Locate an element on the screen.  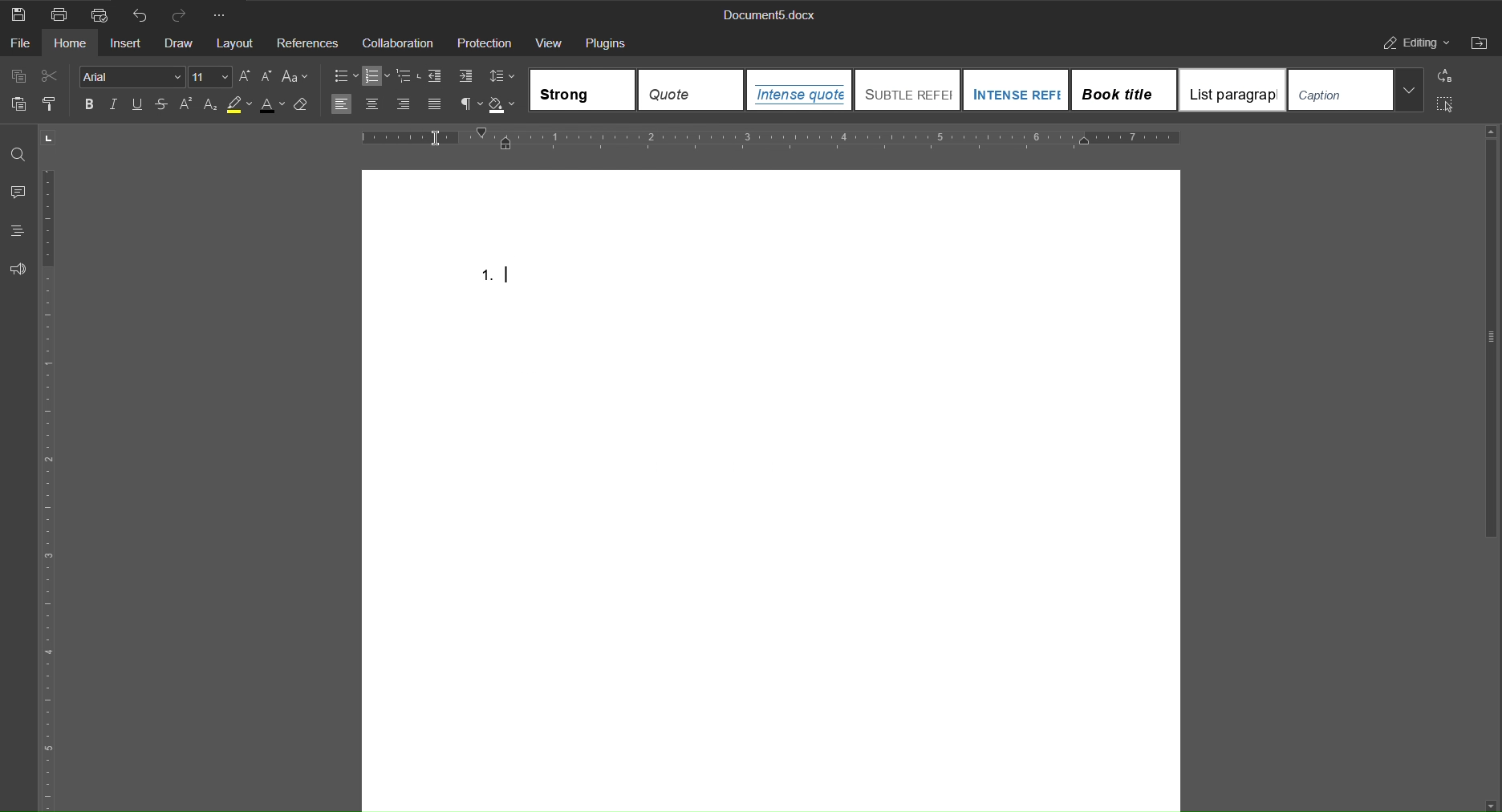
decrease indent is located at coordinates (437, 76).